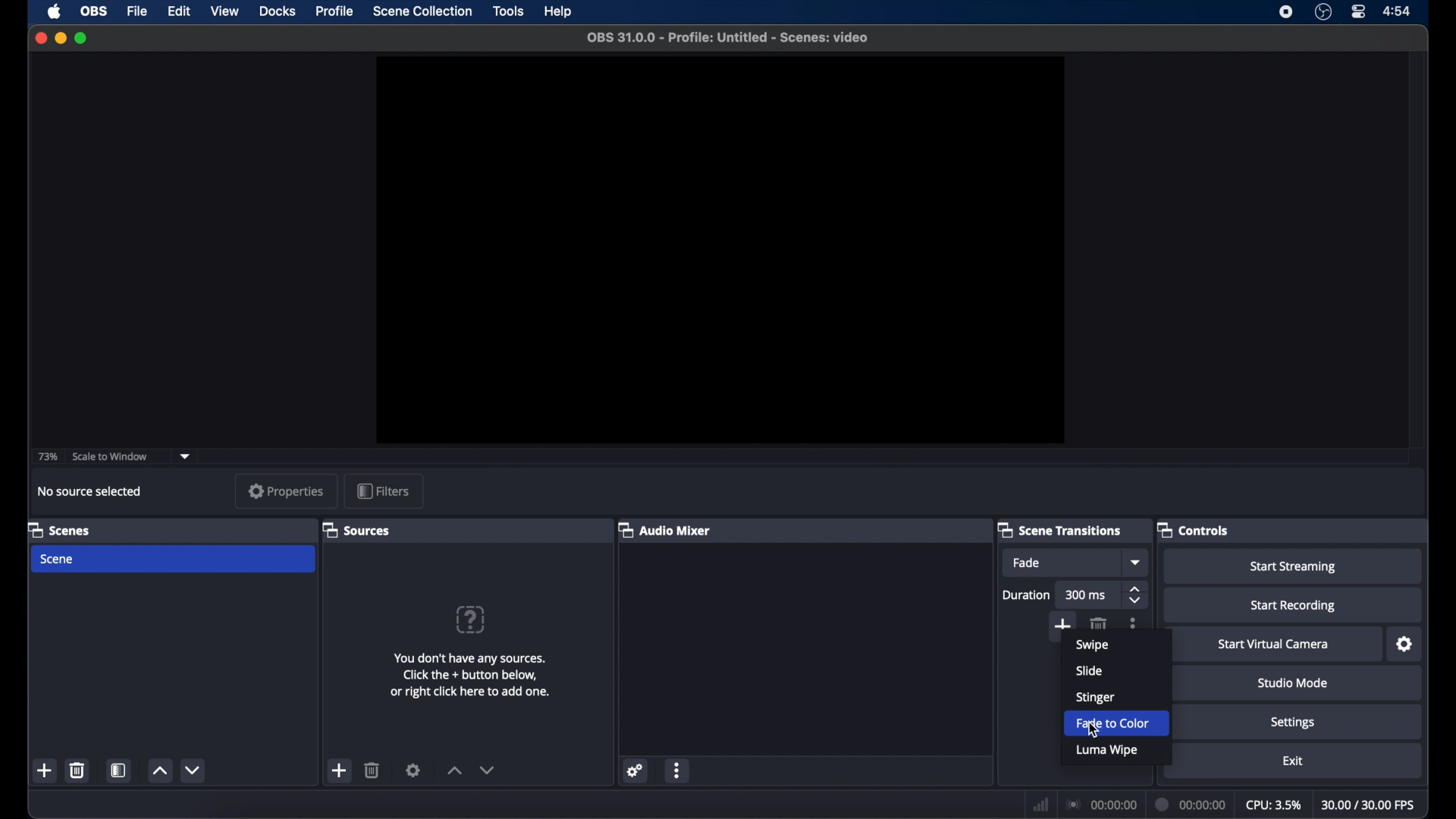 The height and width of the screenshot is (819, 1456). What do you see at coordinates (1273, 805) in the screenshot?
I see `cpu` at bounding box center [1273, 805].